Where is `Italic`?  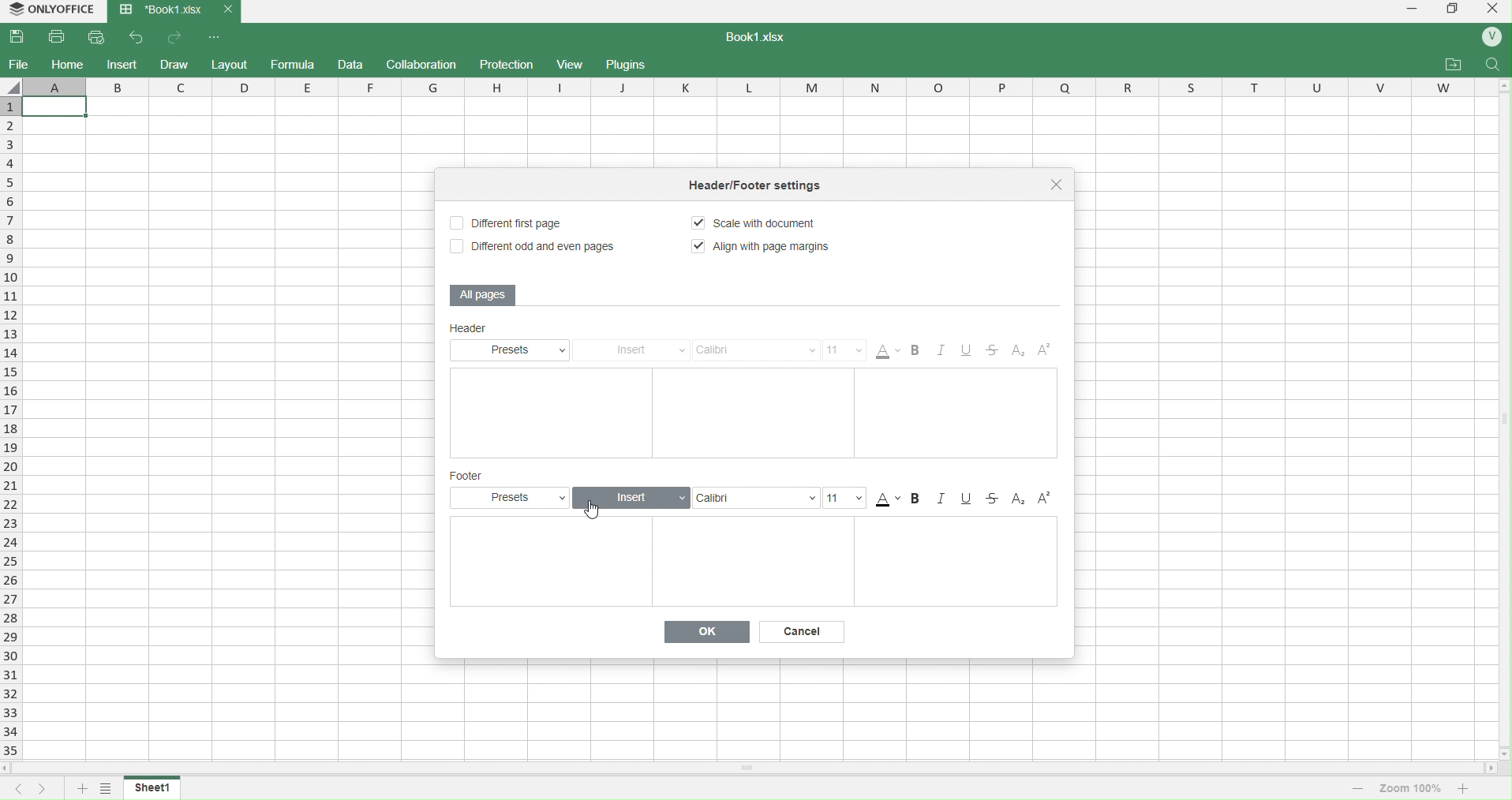
Italic is located at coordinates (945, 352).